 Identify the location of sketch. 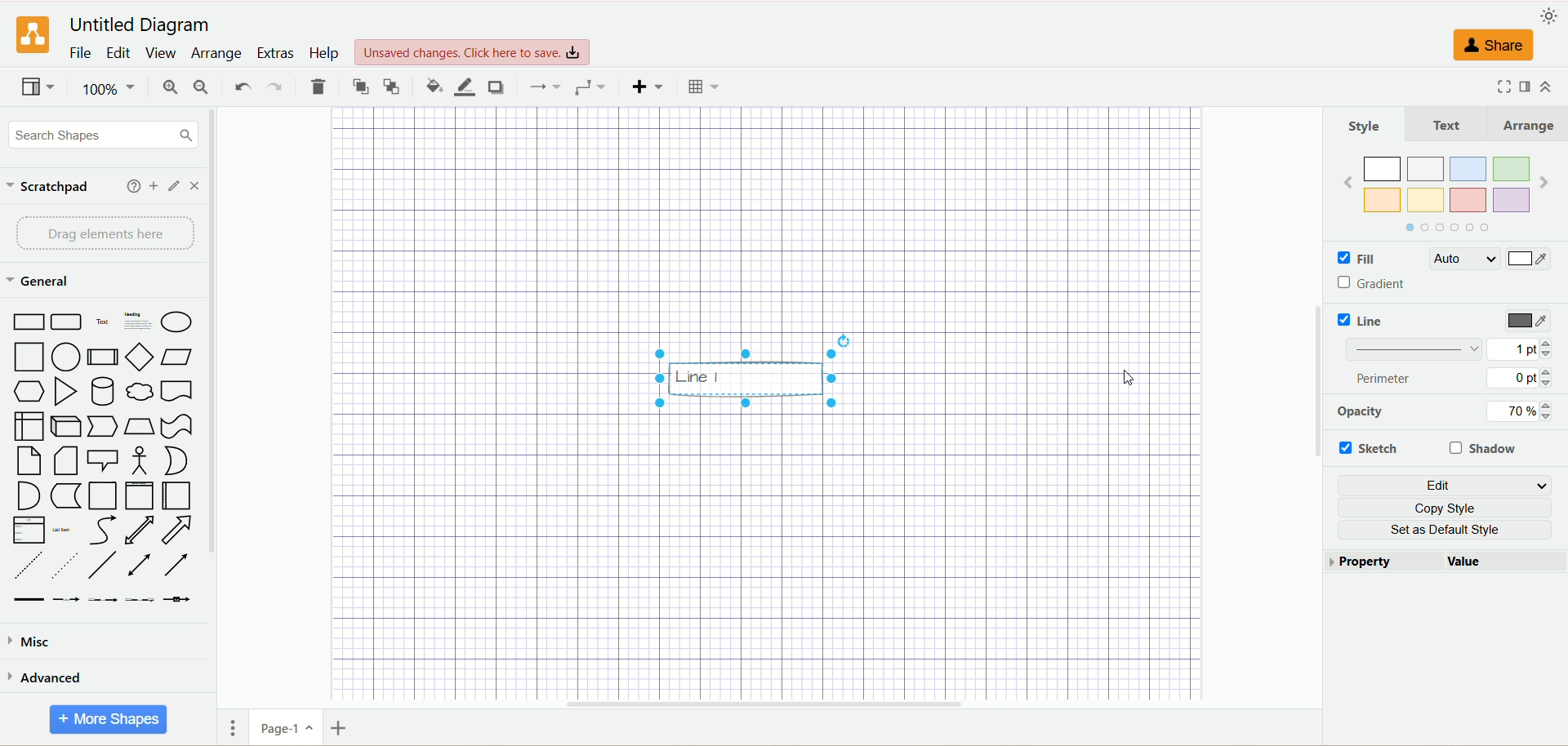
(1371, 446).